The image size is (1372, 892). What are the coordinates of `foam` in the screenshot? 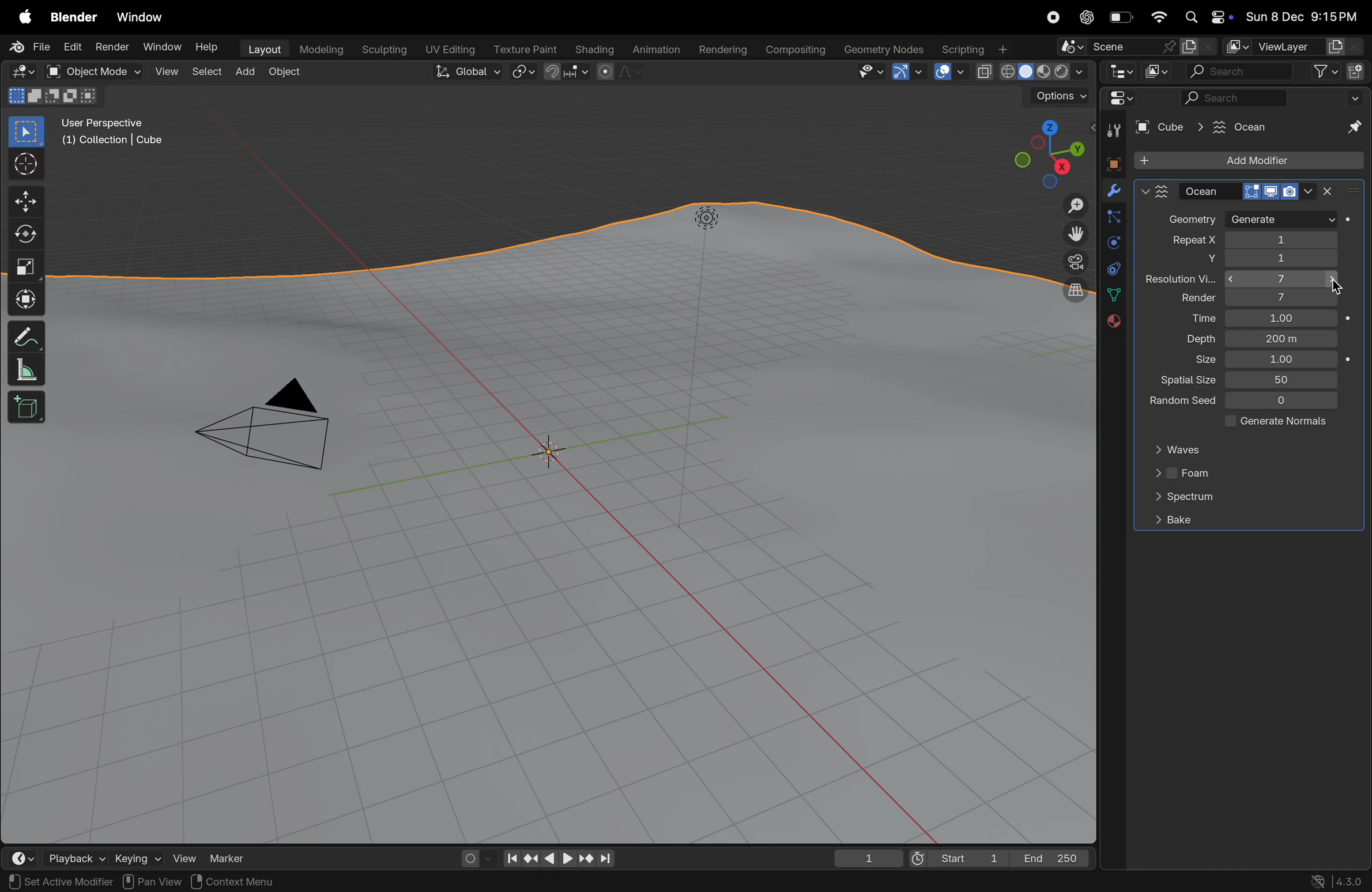 It's located at (1183, 475).